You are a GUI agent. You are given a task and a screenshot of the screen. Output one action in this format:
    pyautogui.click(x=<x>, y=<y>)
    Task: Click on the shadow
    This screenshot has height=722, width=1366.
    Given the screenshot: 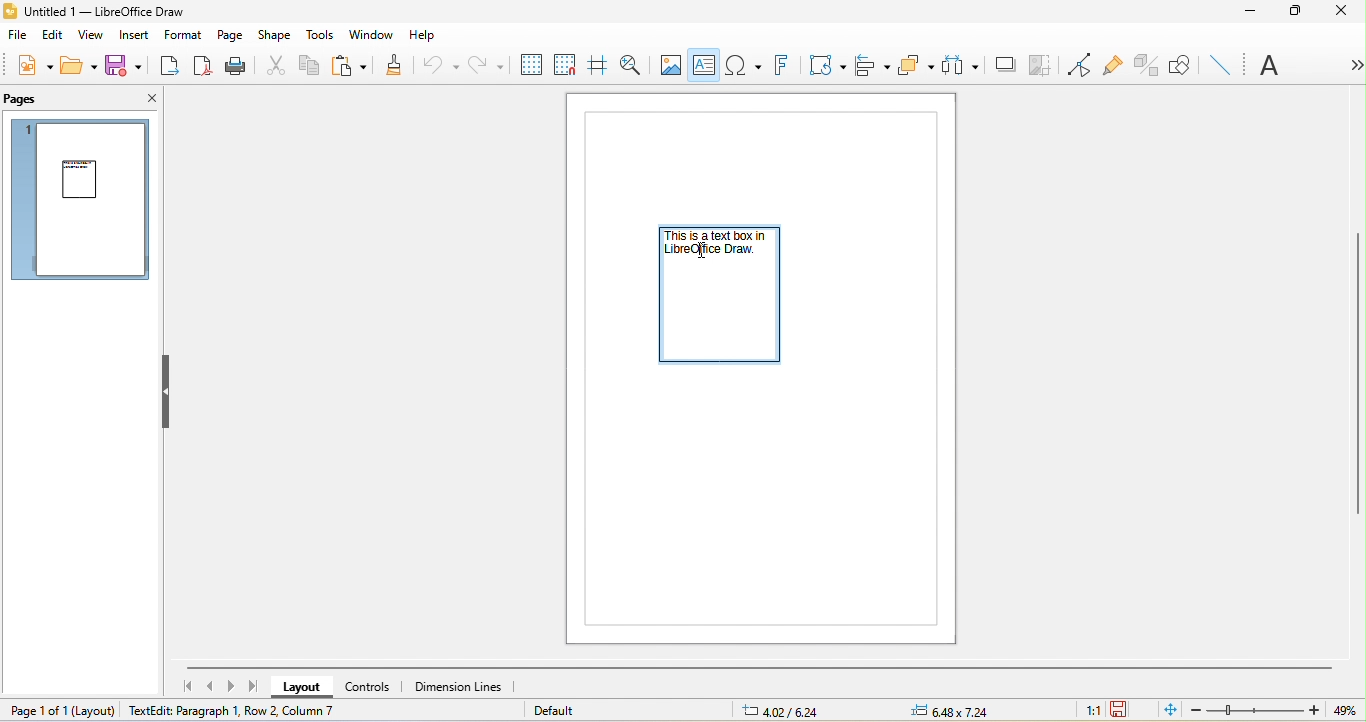 What is the action you would take?
    pyautogui.click(x=1000, y=63)
    